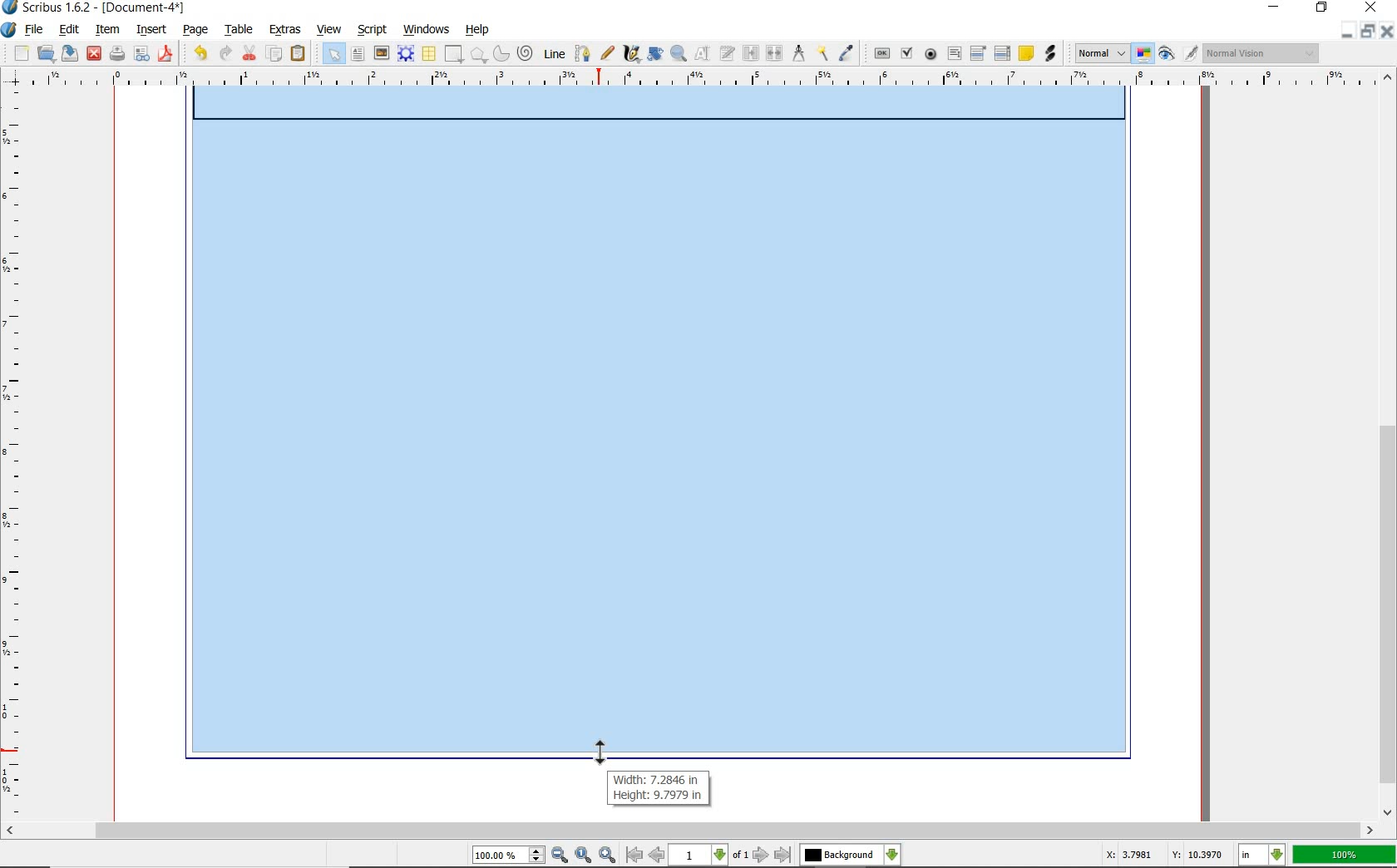 The image size is (1397, 868). What do you see at coordinates (584, 52) in the screenshot?
I see `Bezier curve` at bounding box center [584, 52].